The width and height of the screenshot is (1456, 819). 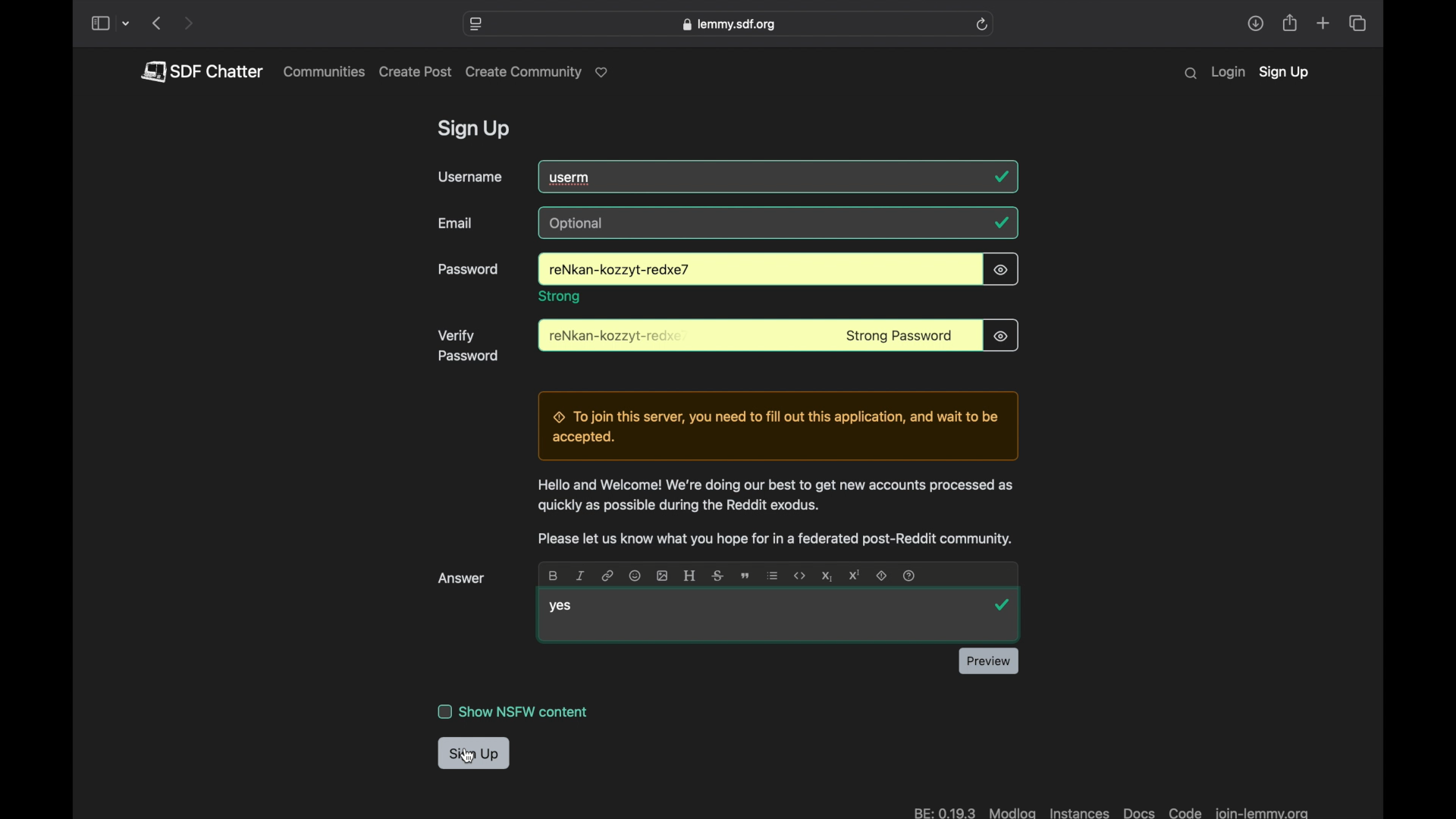 I want to click on create post, so click(x=416, y=72).